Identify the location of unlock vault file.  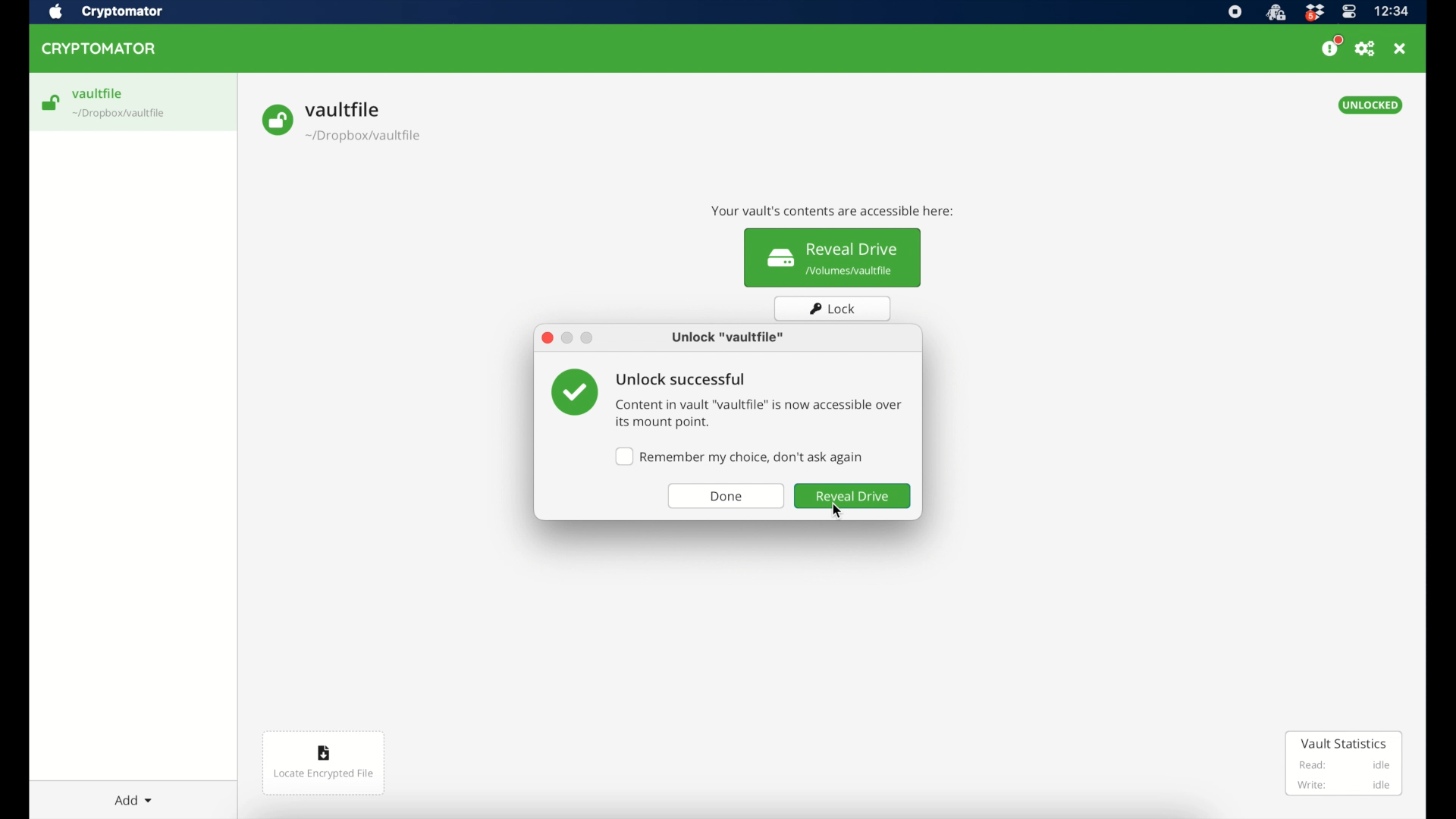
(729, 337).